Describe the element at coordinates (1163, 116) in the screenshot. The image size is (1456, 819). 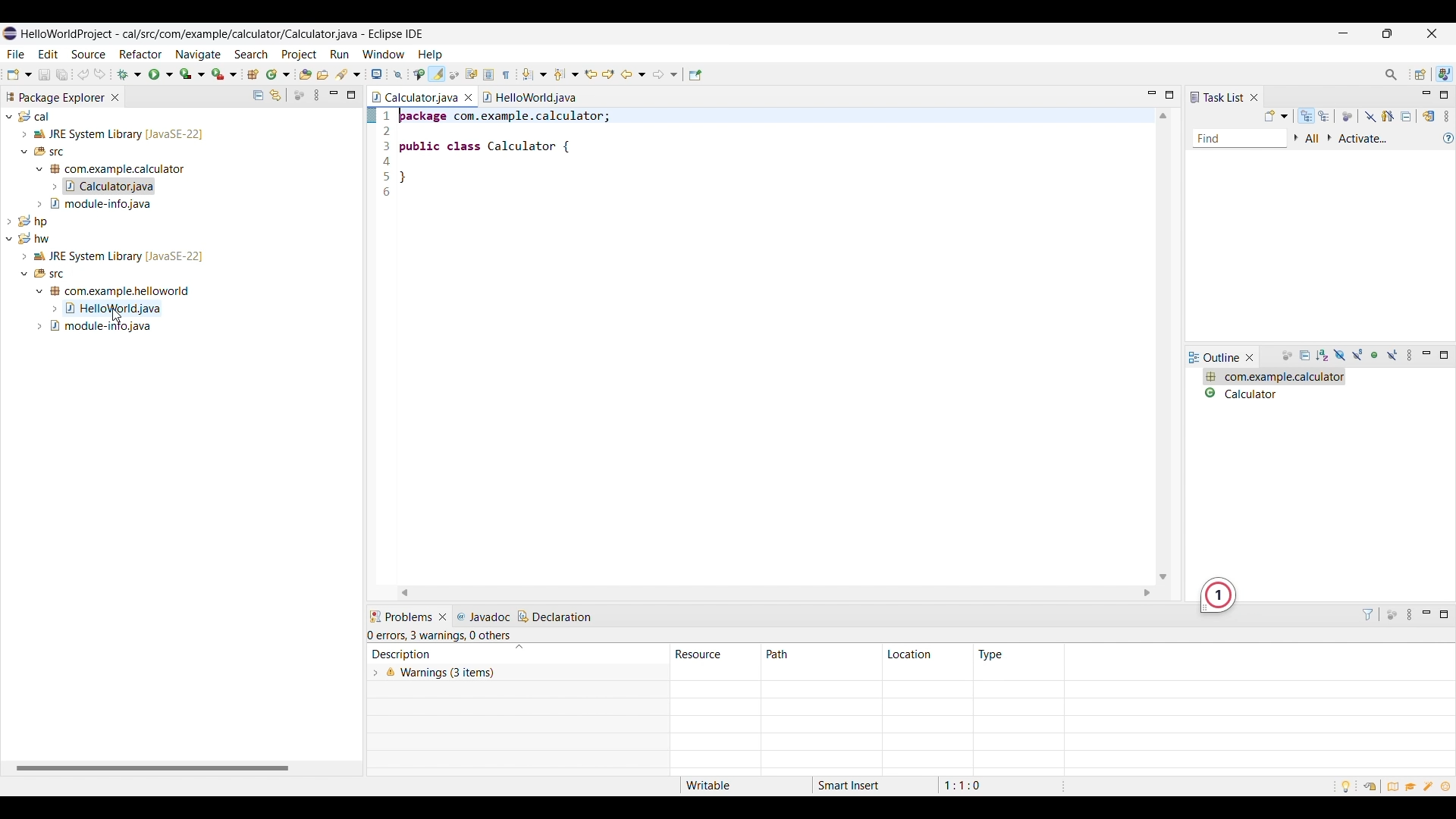
I see `Quick slide to top` at that location.